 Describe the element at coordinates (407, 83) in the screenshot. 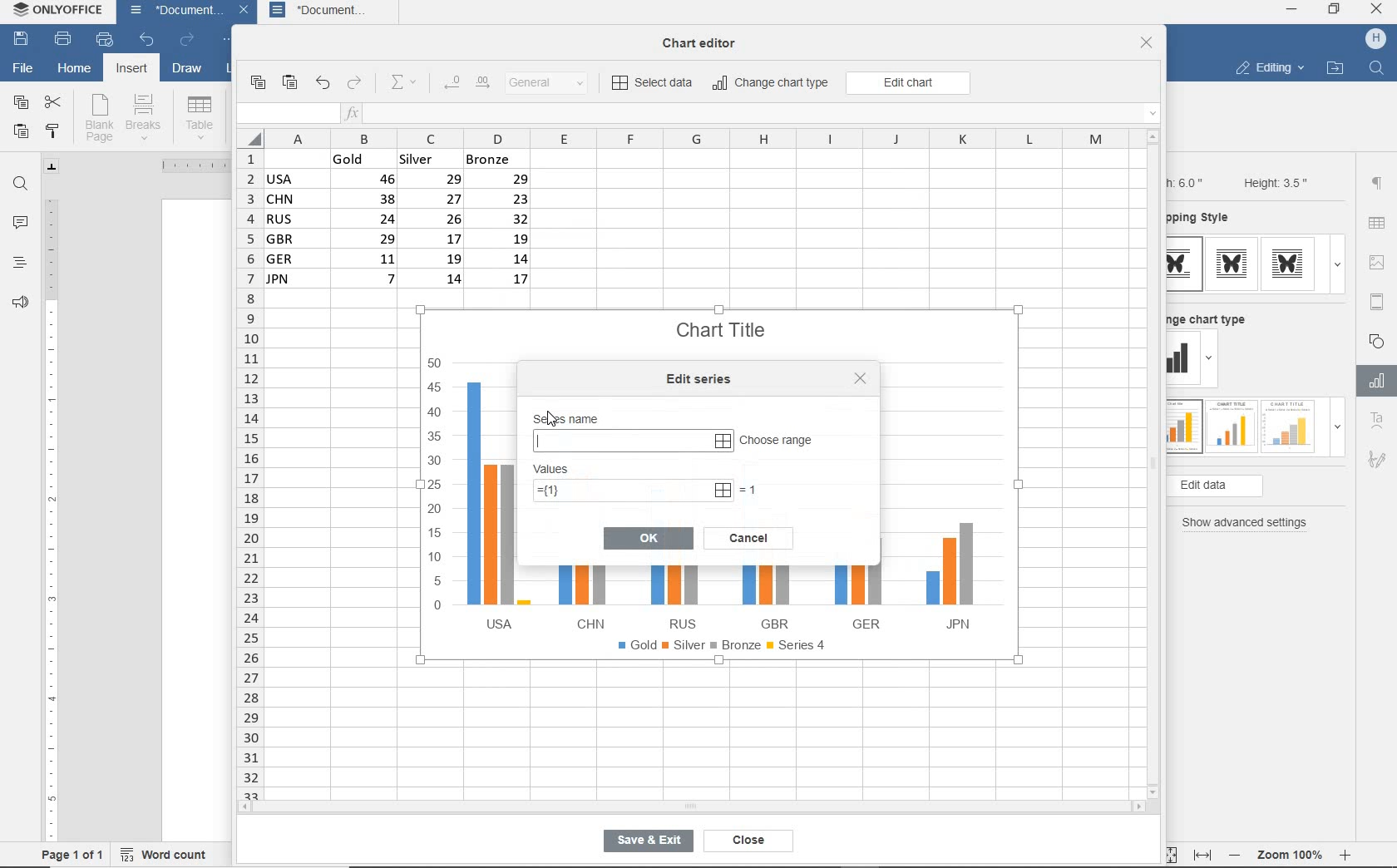

I see `summation` at that location.